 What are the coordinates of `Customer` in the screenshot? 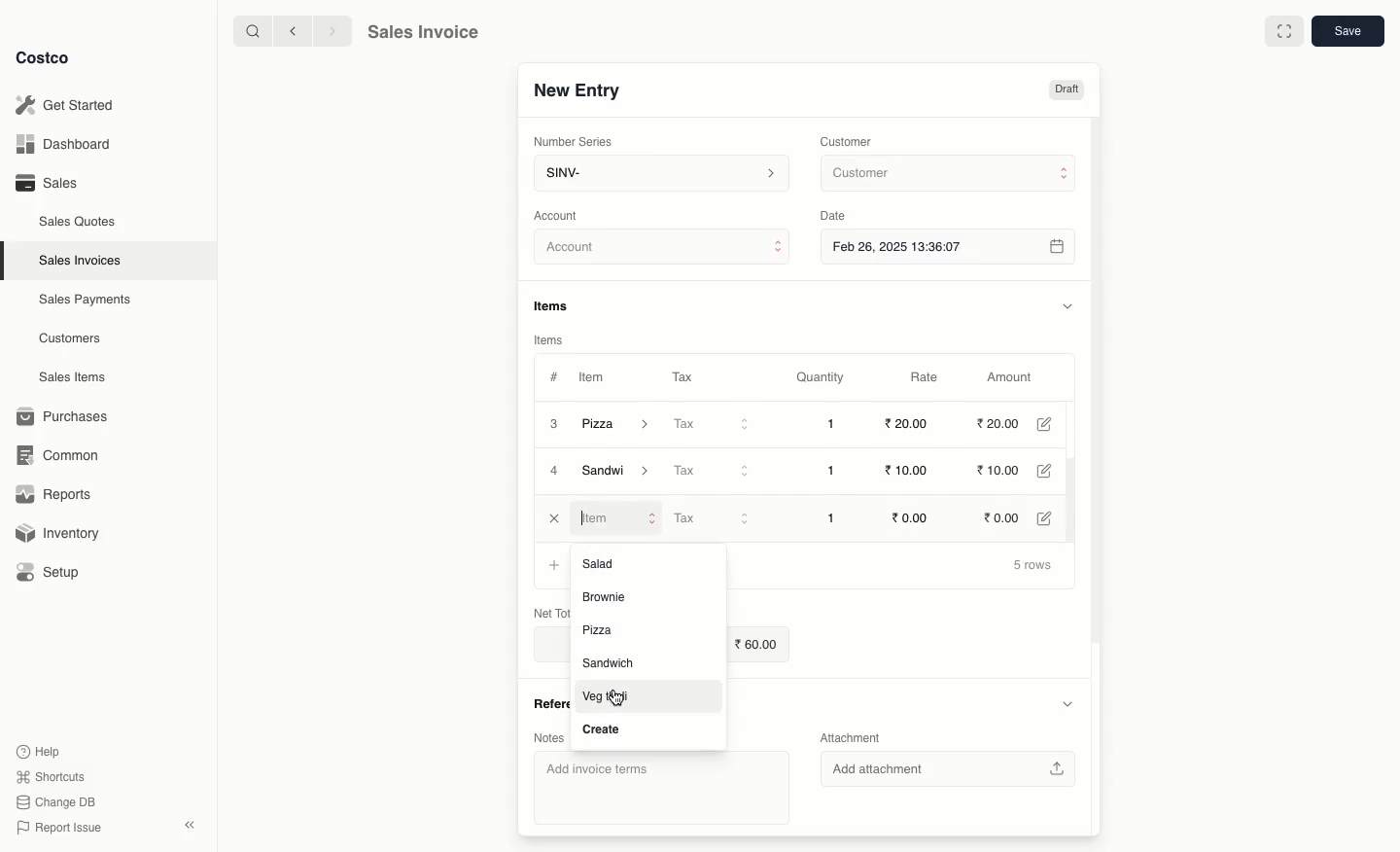 It's located at (849, 140).